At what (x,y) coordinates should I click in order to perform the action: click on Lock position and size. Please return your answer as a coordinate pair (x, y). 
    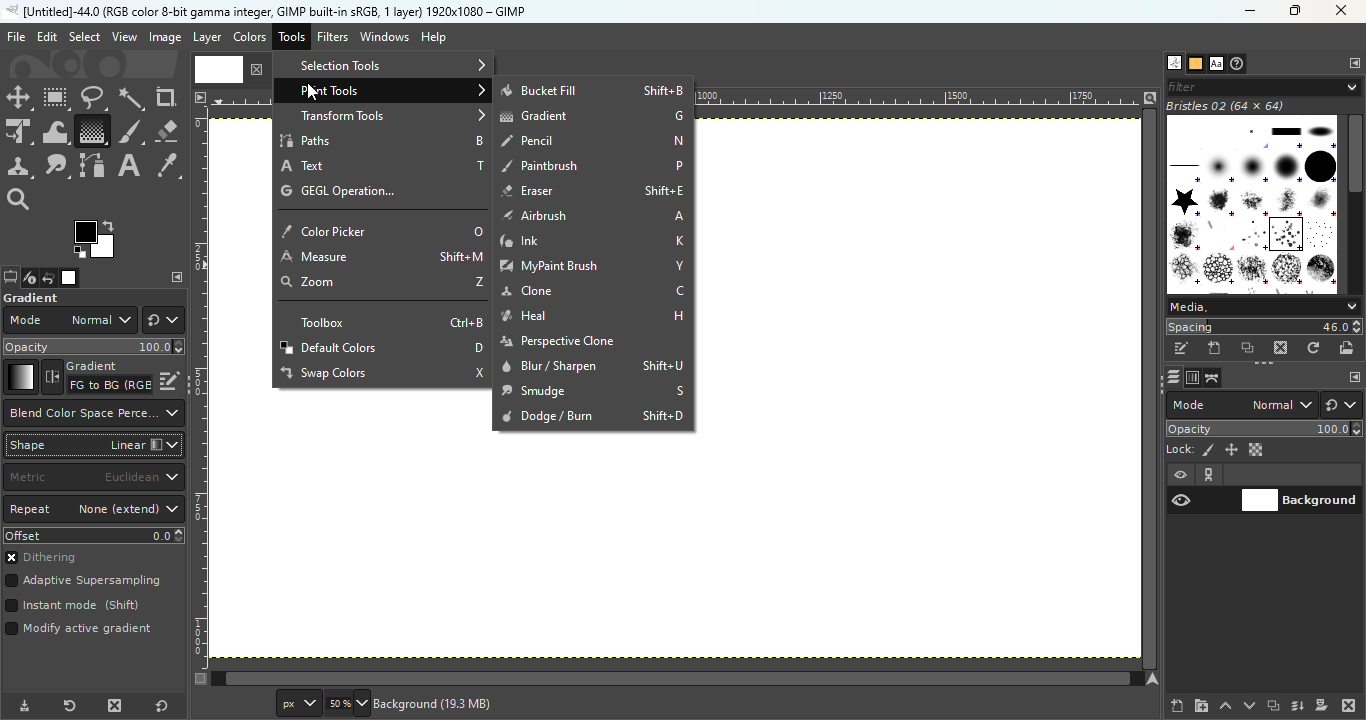
    Looking at the image, I should click on (1230, 449).